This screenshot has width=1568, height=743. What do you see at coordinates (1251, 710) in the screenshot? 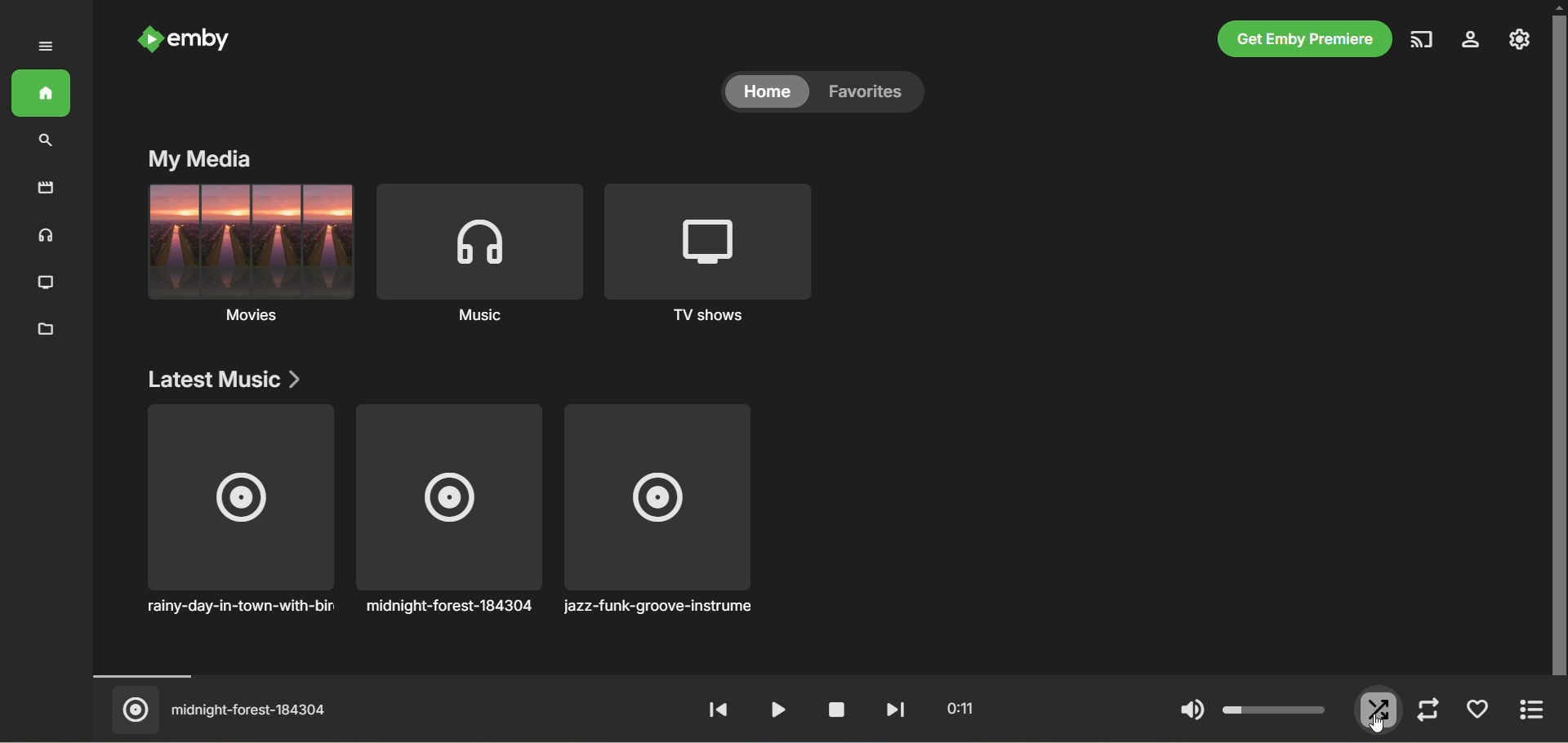
I see `volume` at bounding box center [1251, 710].